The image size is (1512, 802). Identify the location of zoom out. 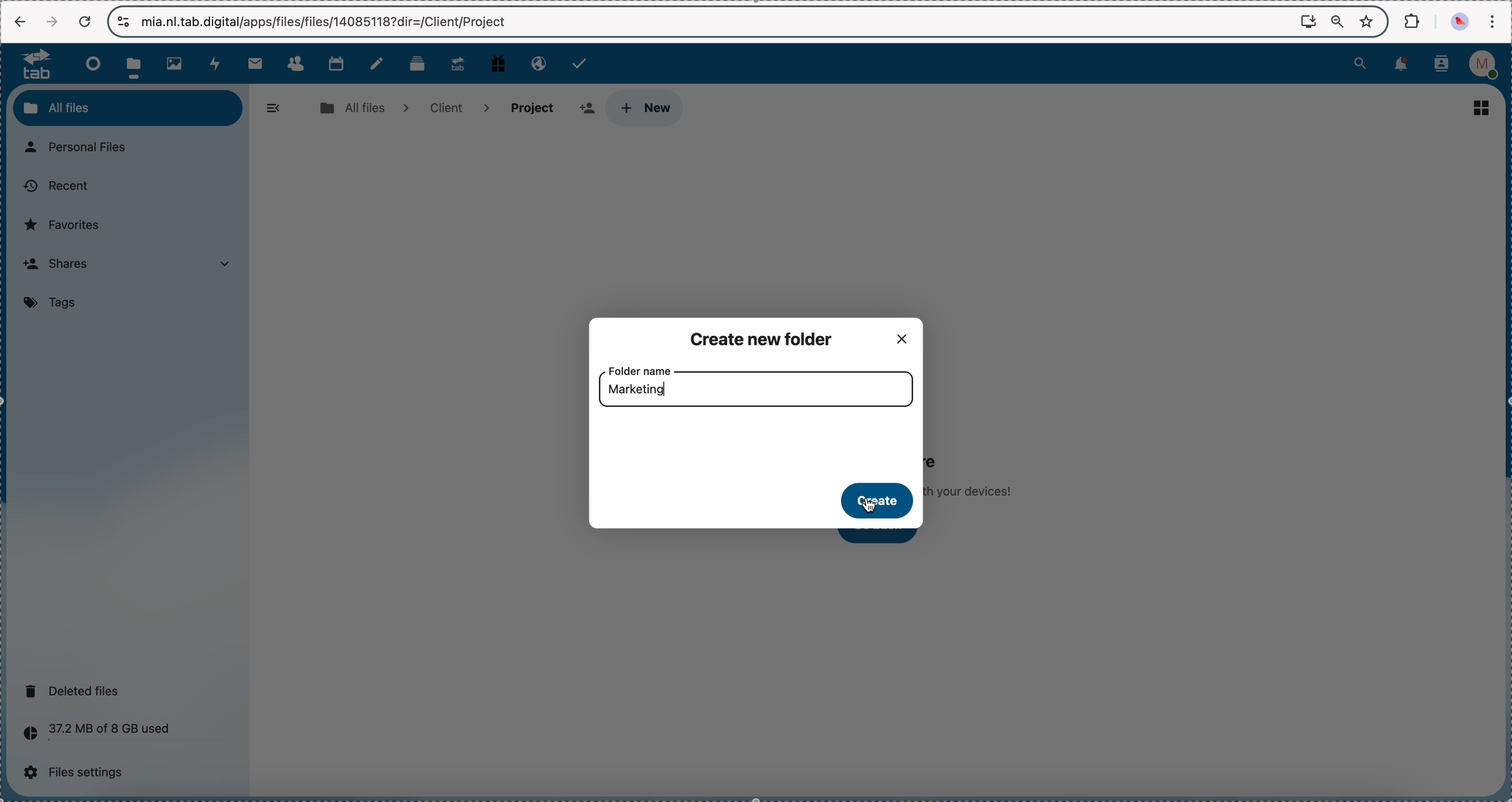
(1338, 22).